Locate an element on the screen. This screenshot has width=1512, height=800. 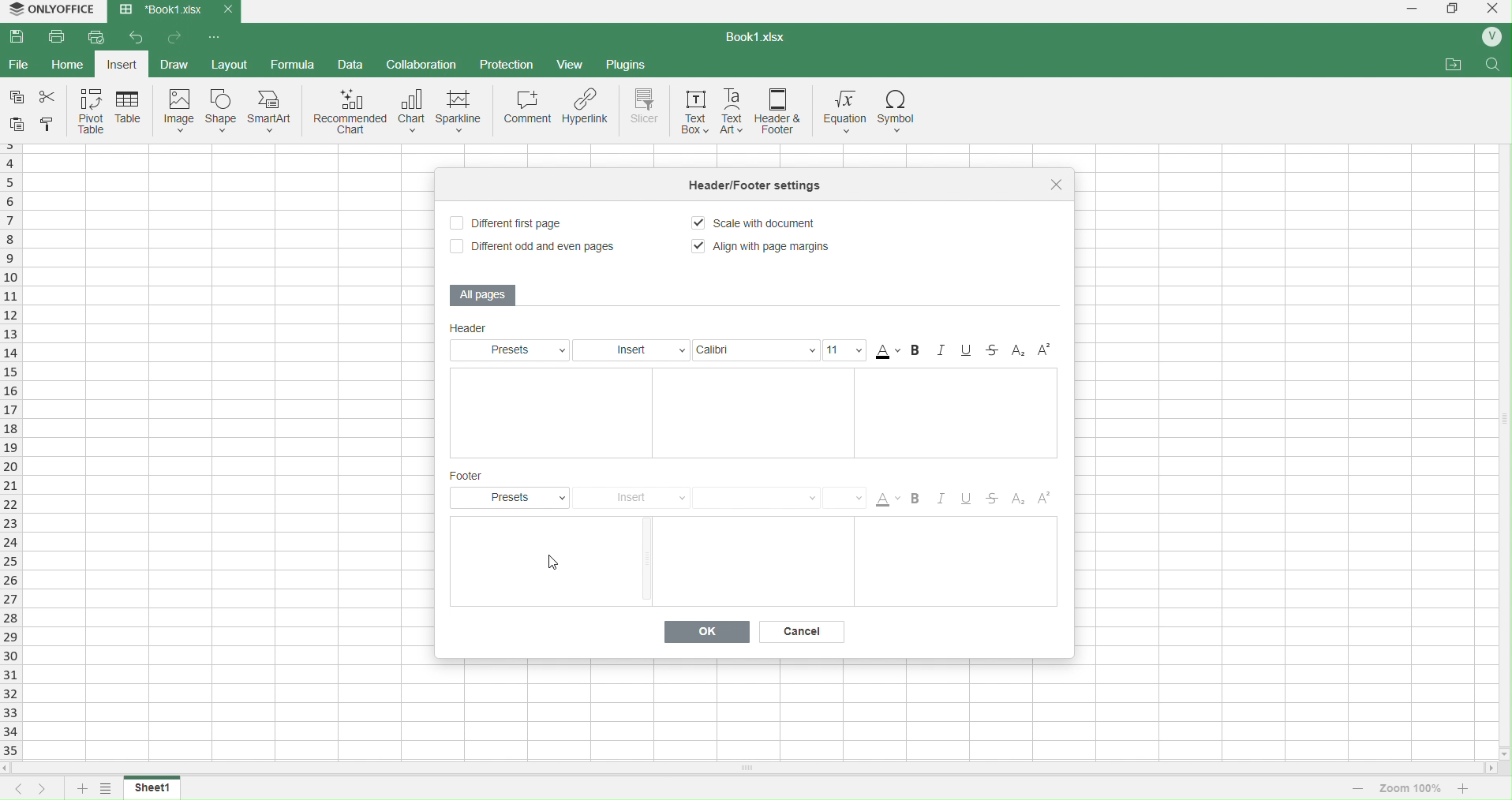
Underline is located at coordinates (967, 499).